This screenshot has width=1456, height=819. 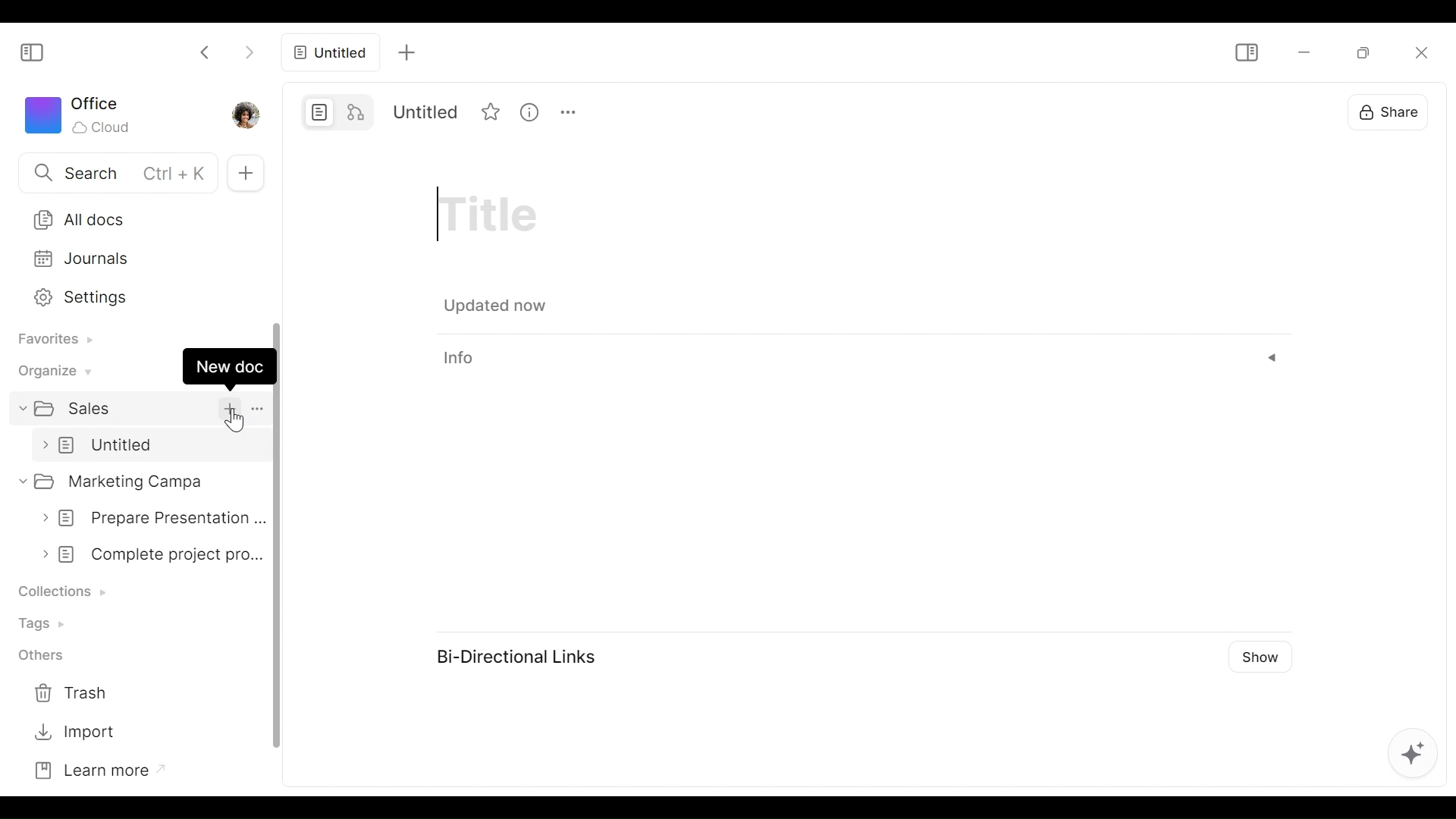 I want to click on Profile photo, so click(x=251, y=114).